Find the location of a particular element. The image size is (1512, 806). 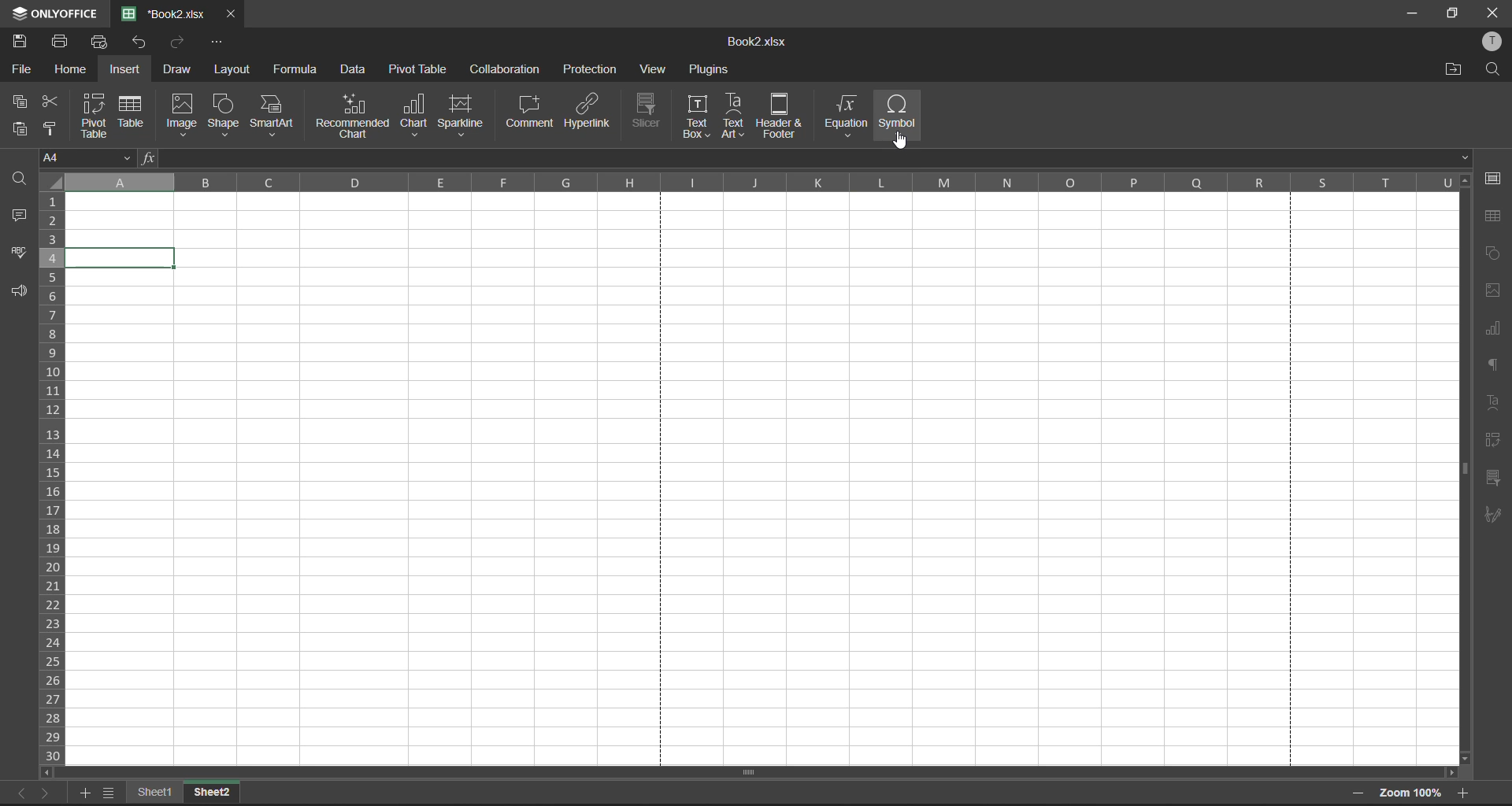

pivot table is located at coordinates (1492, 442).